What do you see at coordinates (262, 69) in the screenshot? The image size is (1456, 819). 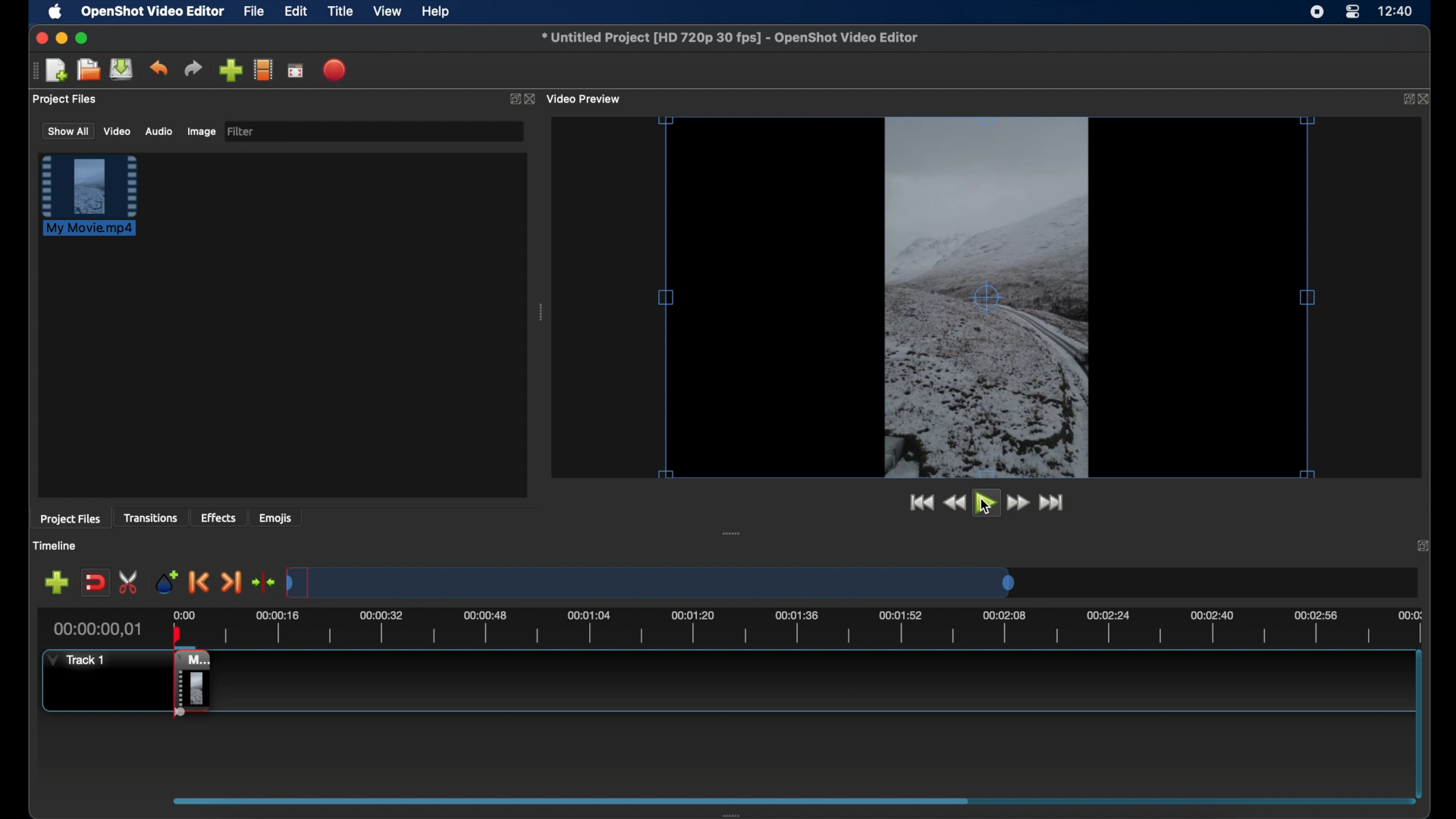 I see `explore profiles` at bounding box center [262, 69].